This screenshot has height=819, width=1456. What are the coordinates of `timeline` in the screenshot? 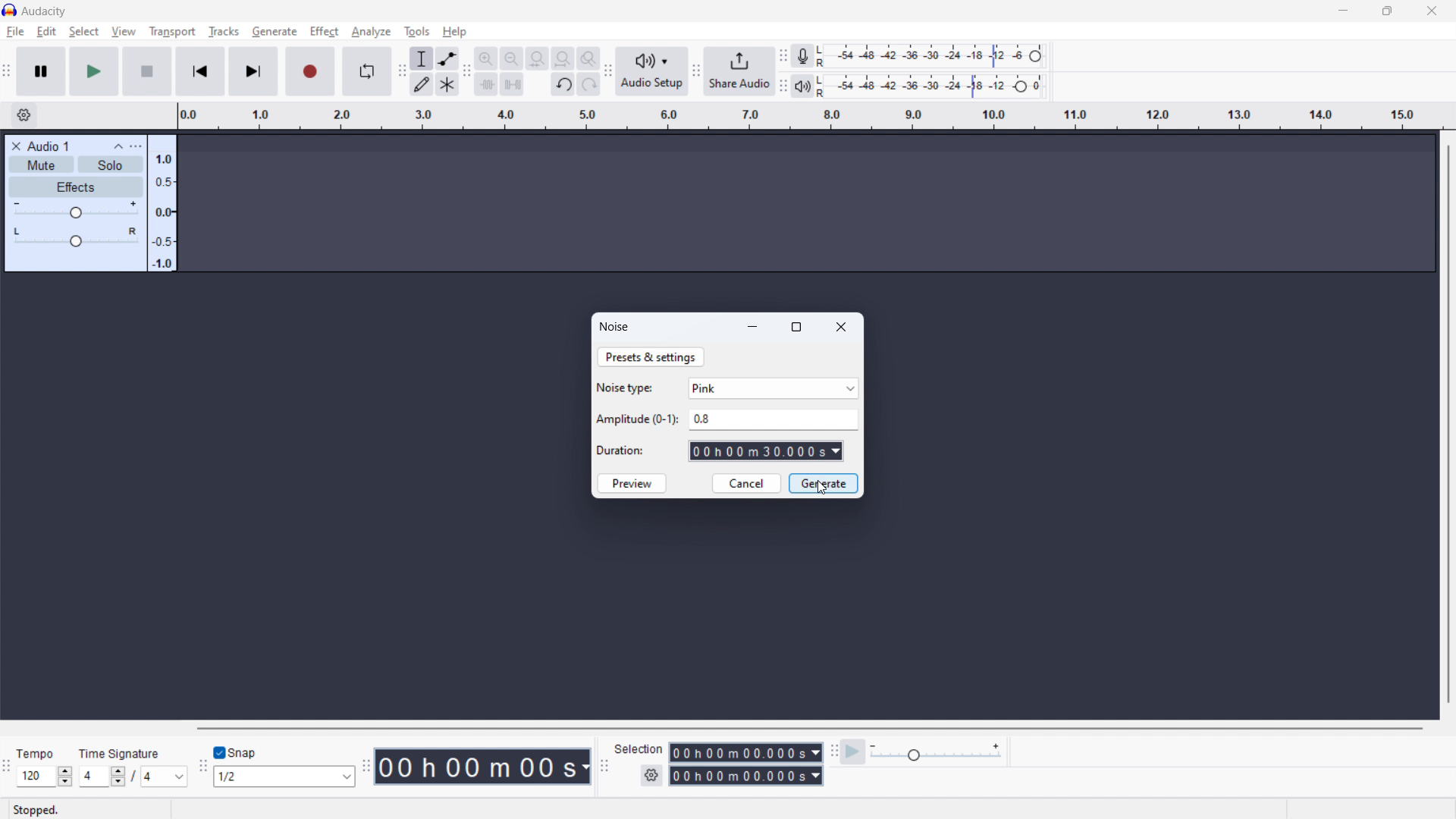 It's located at (808, 117).